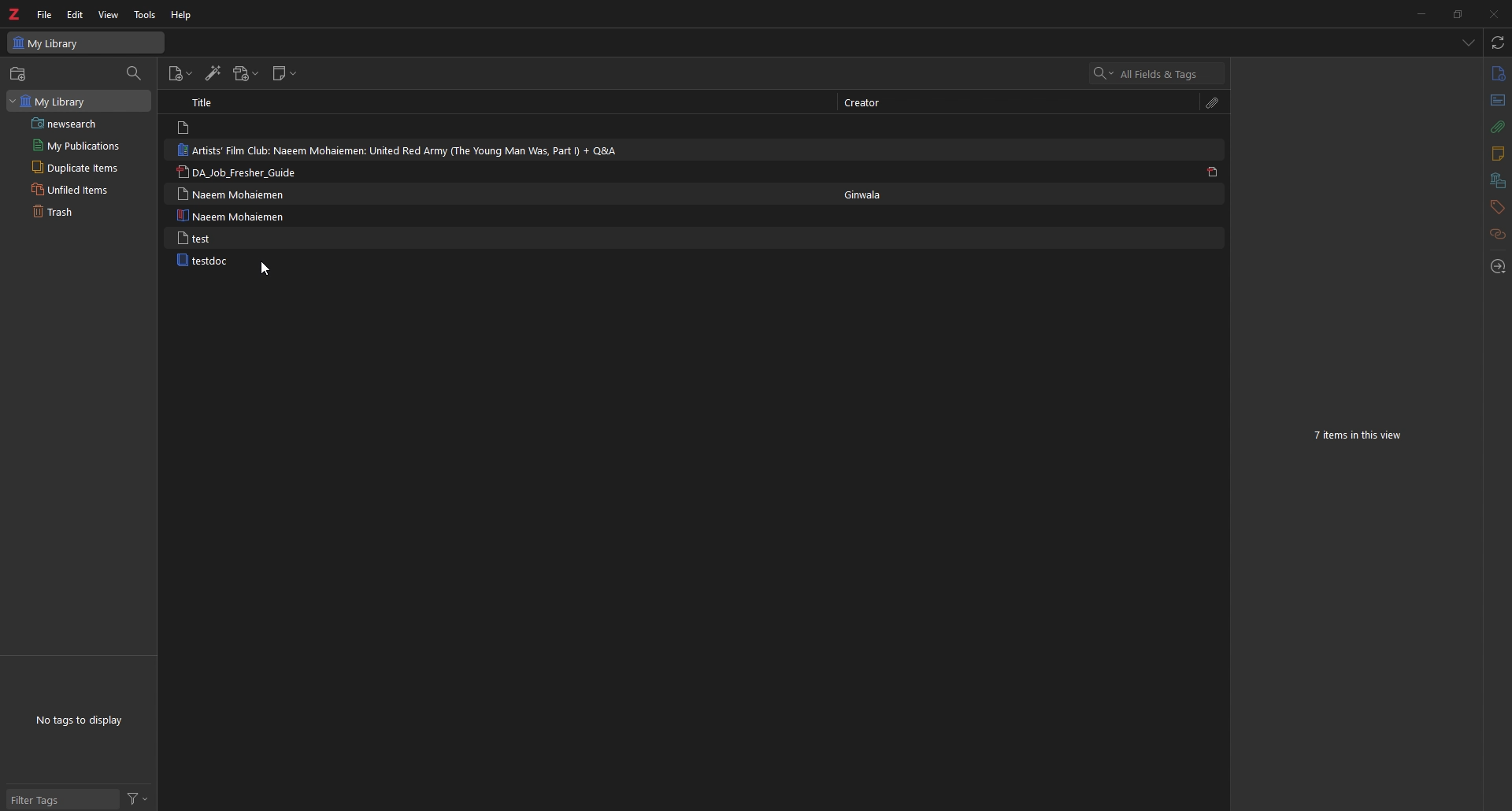 The width and height of the screenshot is (1512, 811). Describe the element at coordinates (239, 173) in the screenshot. I see `DA_lob_Fresher_Guide` at that location.